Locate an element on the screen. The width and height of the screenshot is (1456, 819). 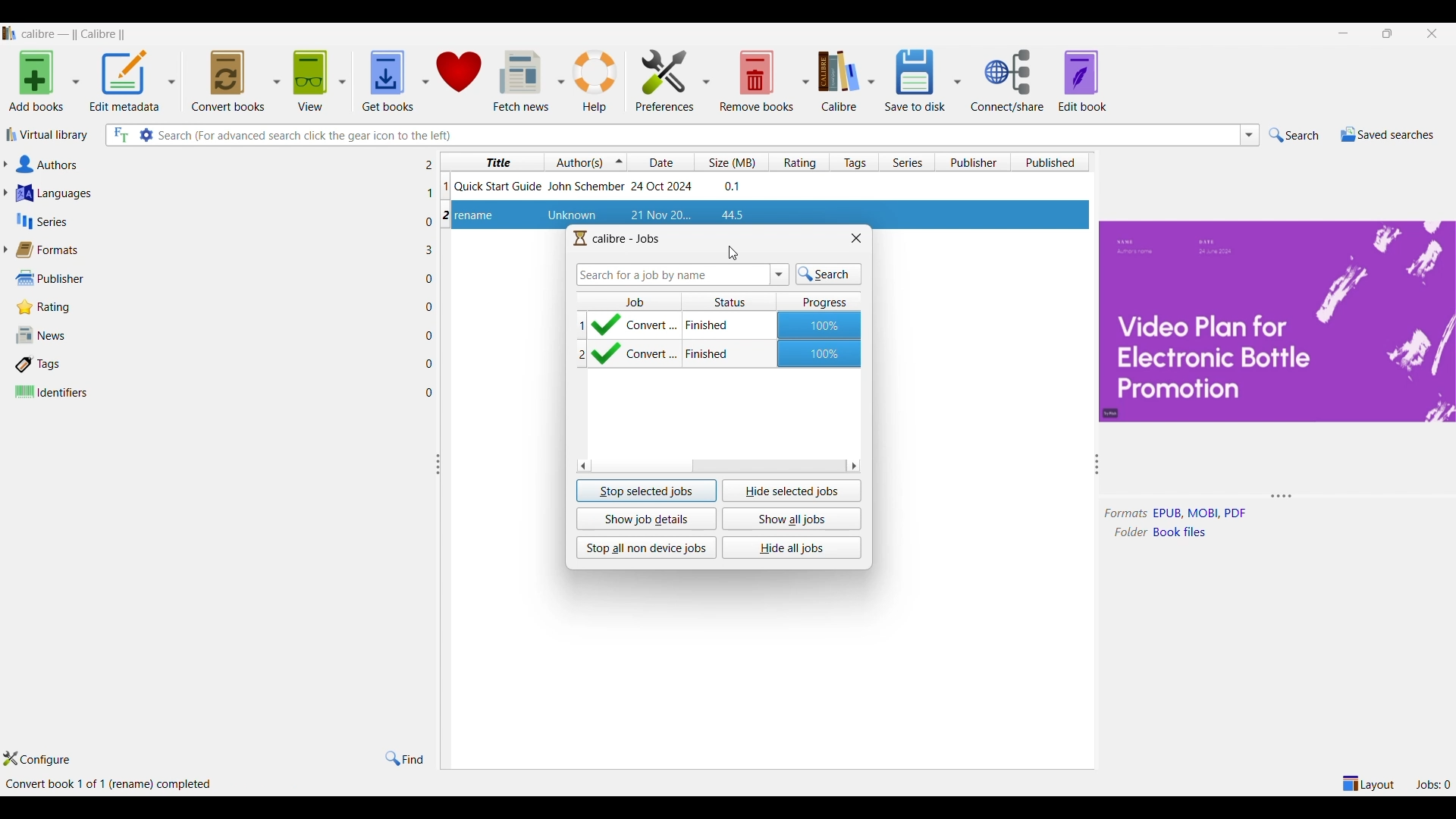
Series column is located at coordinates (907, 162).